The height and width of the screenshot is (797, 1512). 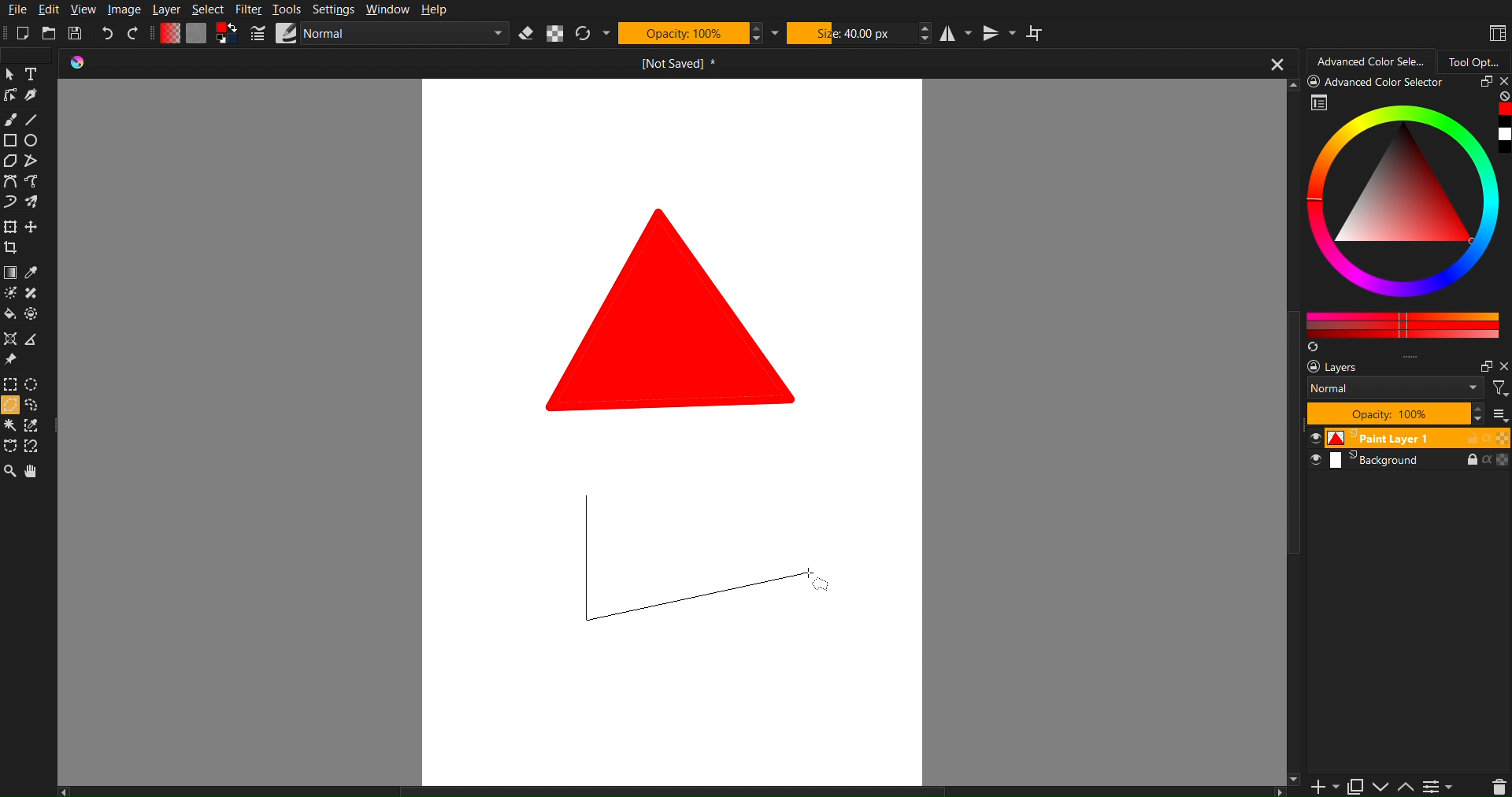 What do you see at coordinates (9, 141) in the screenshot?
I see `Square` at bounding box center [9, 141].